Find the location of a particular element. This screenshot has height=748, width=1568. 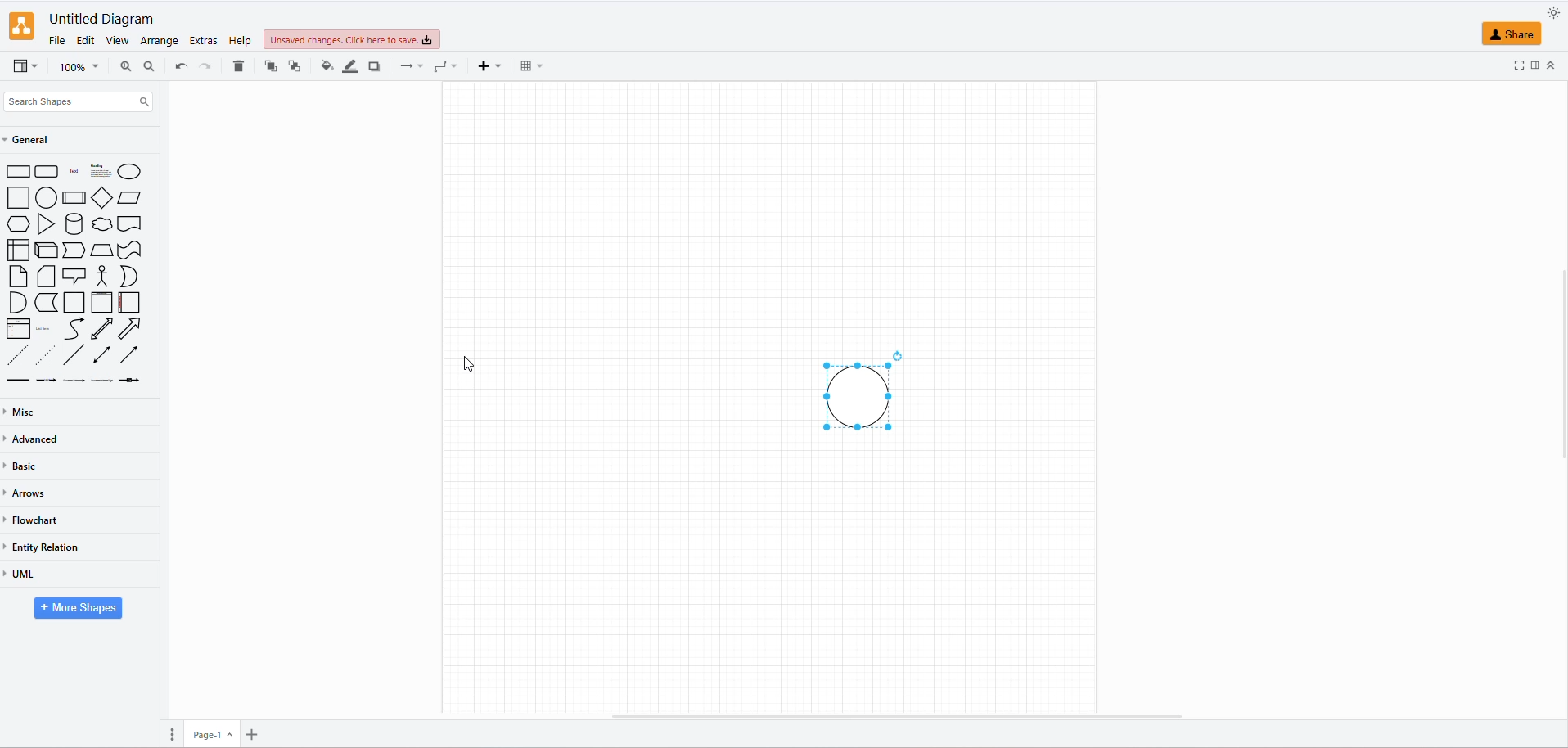

LIST ITEM is located at coordinates (44, 330).